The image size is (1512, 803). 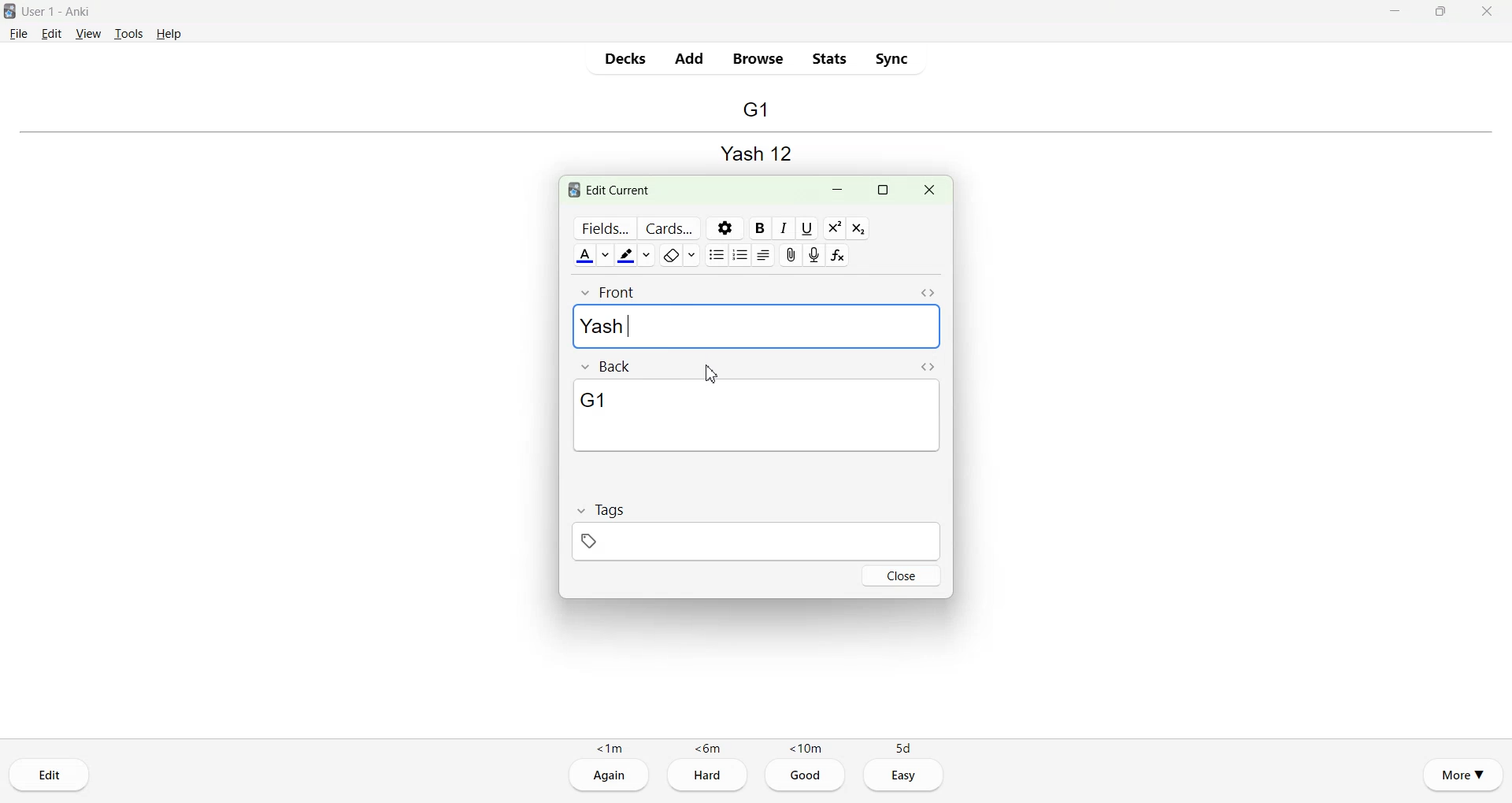 What do you see at coordinates (1463, 773) in the screenshot?
I see `More` at bounding box center [1463, 773].